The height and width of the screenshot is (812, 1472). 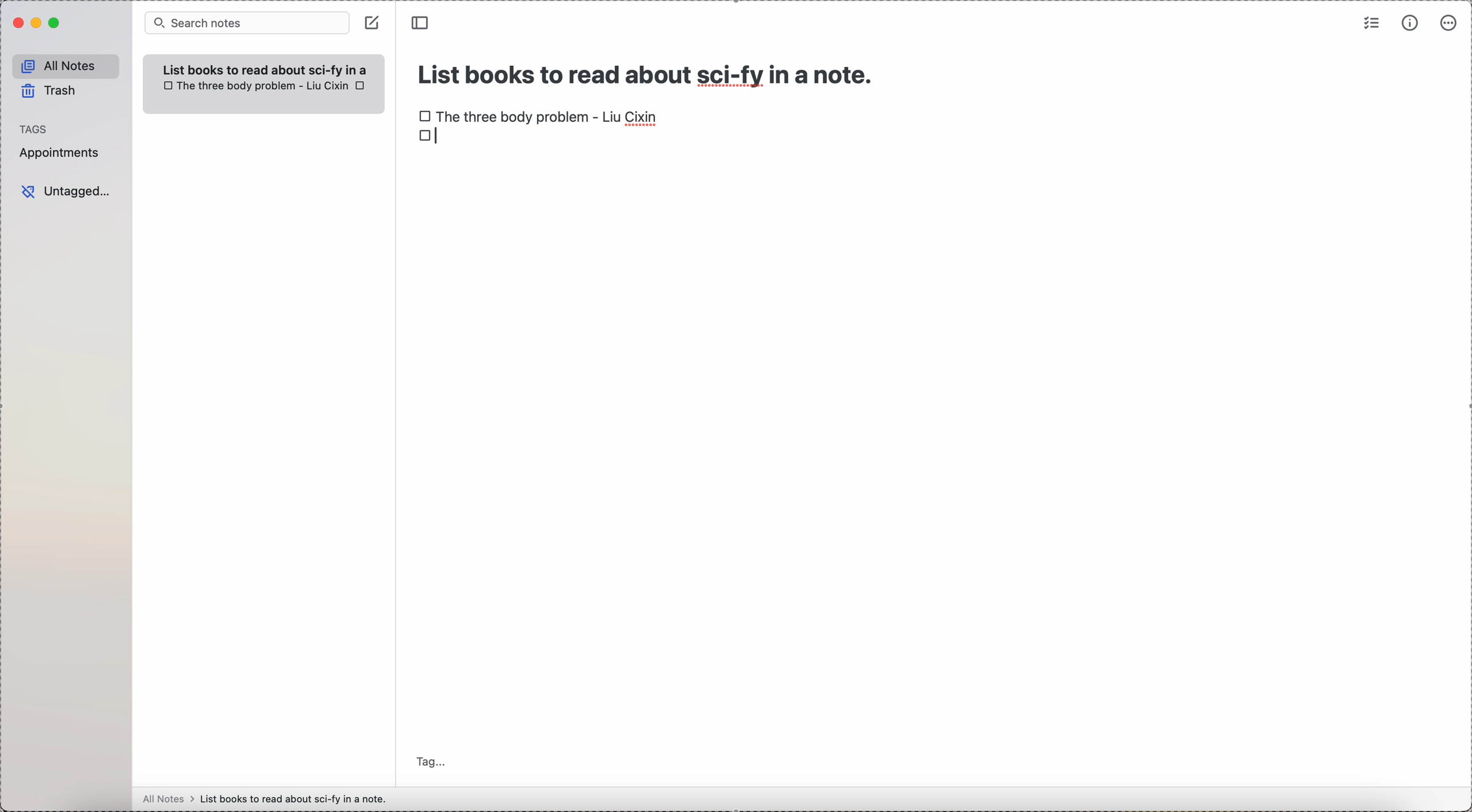 What do you see at coordinates (254, 86) in the screenshot?
I see `checkbox The Three body problem - Liu Cixin book` at bounding box center [254, 86].